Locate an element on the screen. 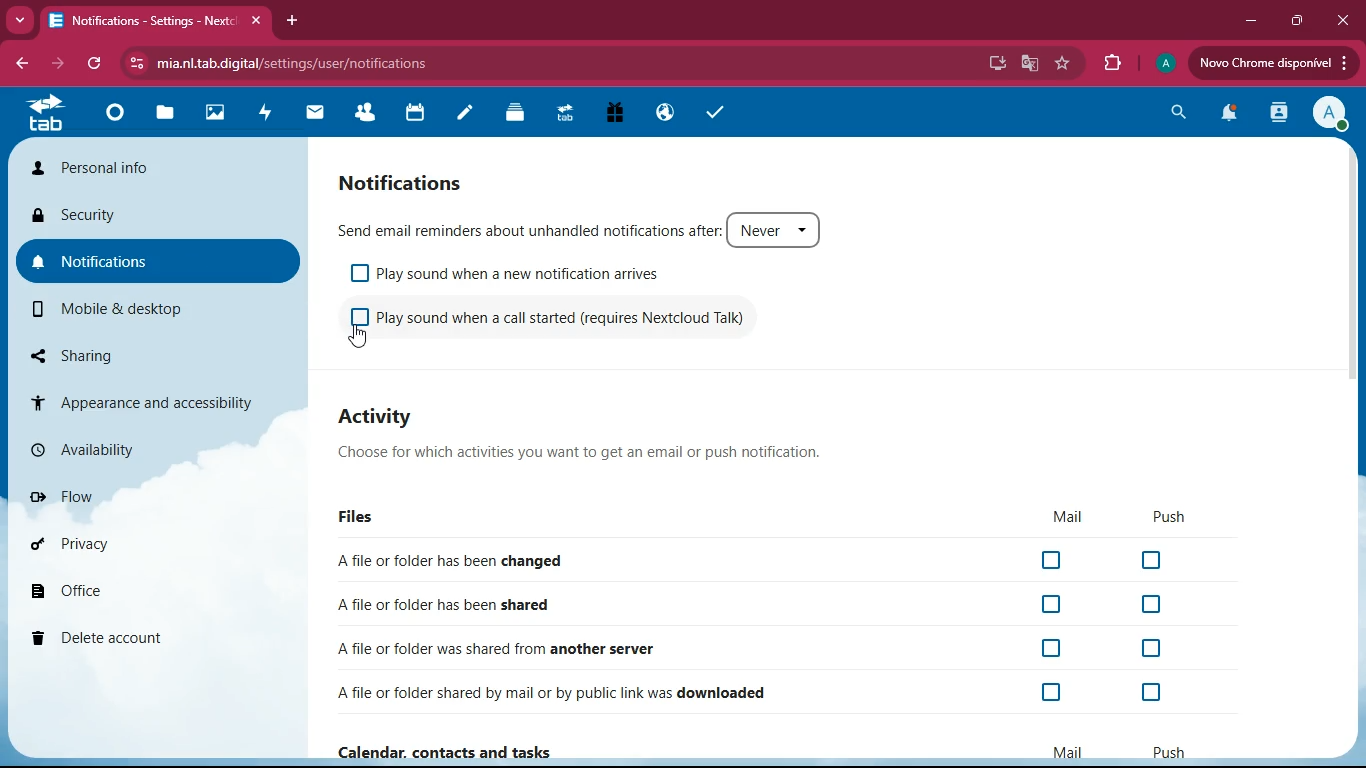  another server is located at coordinates (497, 649).